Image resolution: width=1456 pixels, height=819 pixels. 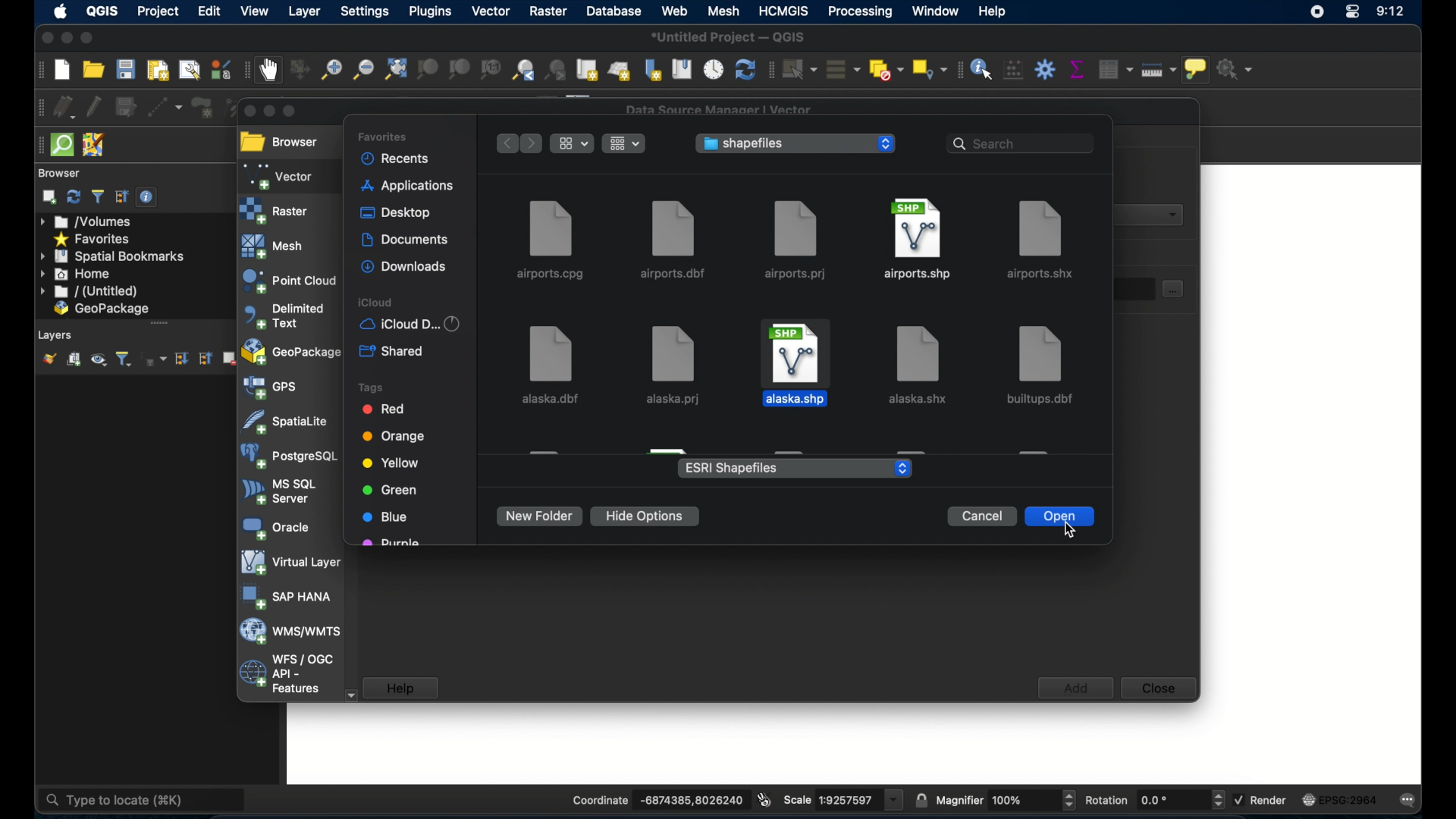 What do you see at coordinates (158, 361) in the screenshot?
I see `filter legend by expression` at bounding box center [158, 361].